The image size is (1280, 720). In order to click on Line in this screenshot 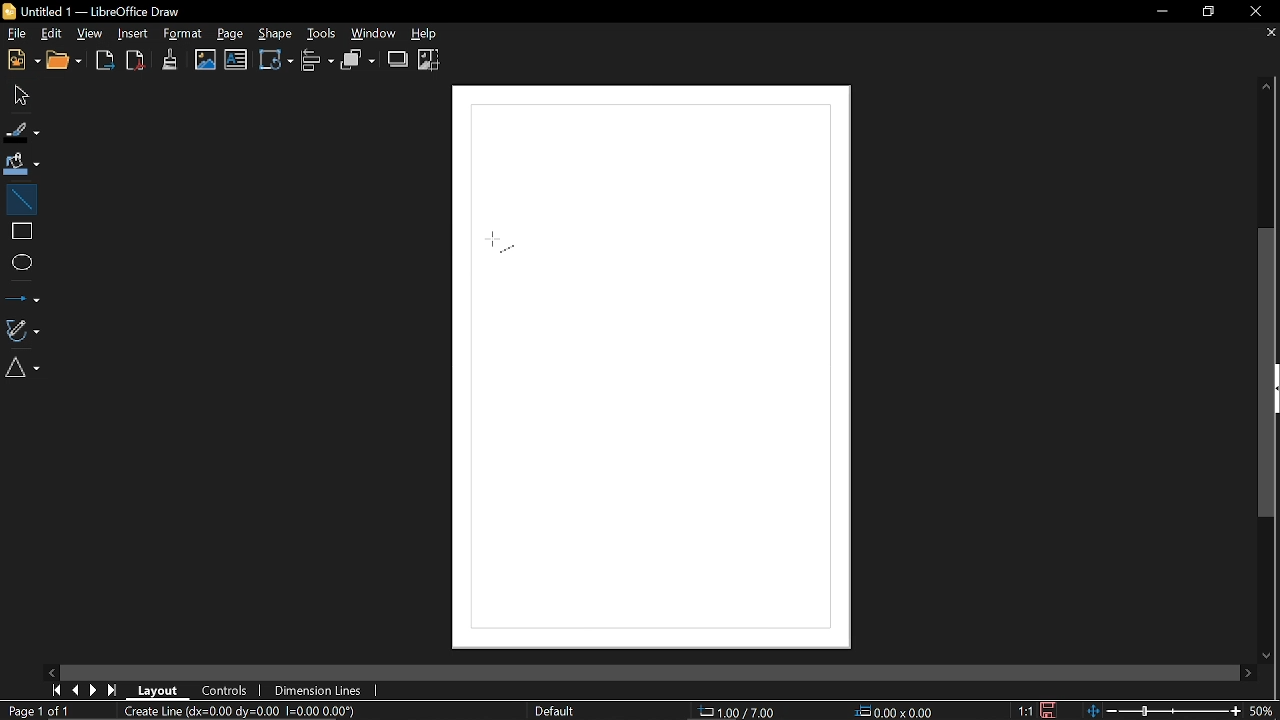, I will do `click(20, 197)`.